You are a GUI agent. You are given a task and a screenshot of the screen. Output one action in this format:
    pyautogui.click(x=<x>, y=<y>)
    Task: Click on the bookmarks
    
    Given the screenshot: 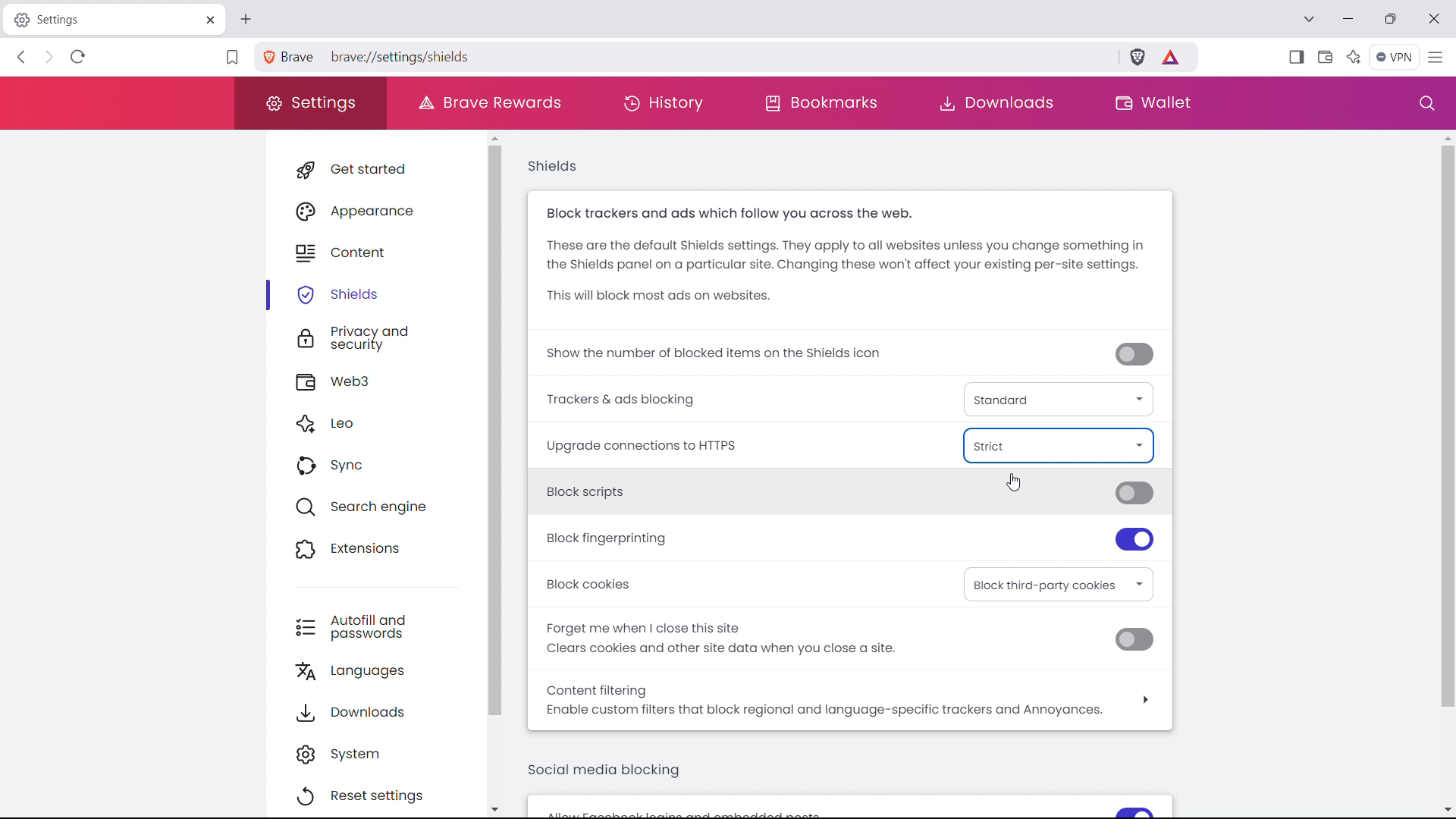 What is the action you would take?
    pyautogui.click(x=821, y=103)
    